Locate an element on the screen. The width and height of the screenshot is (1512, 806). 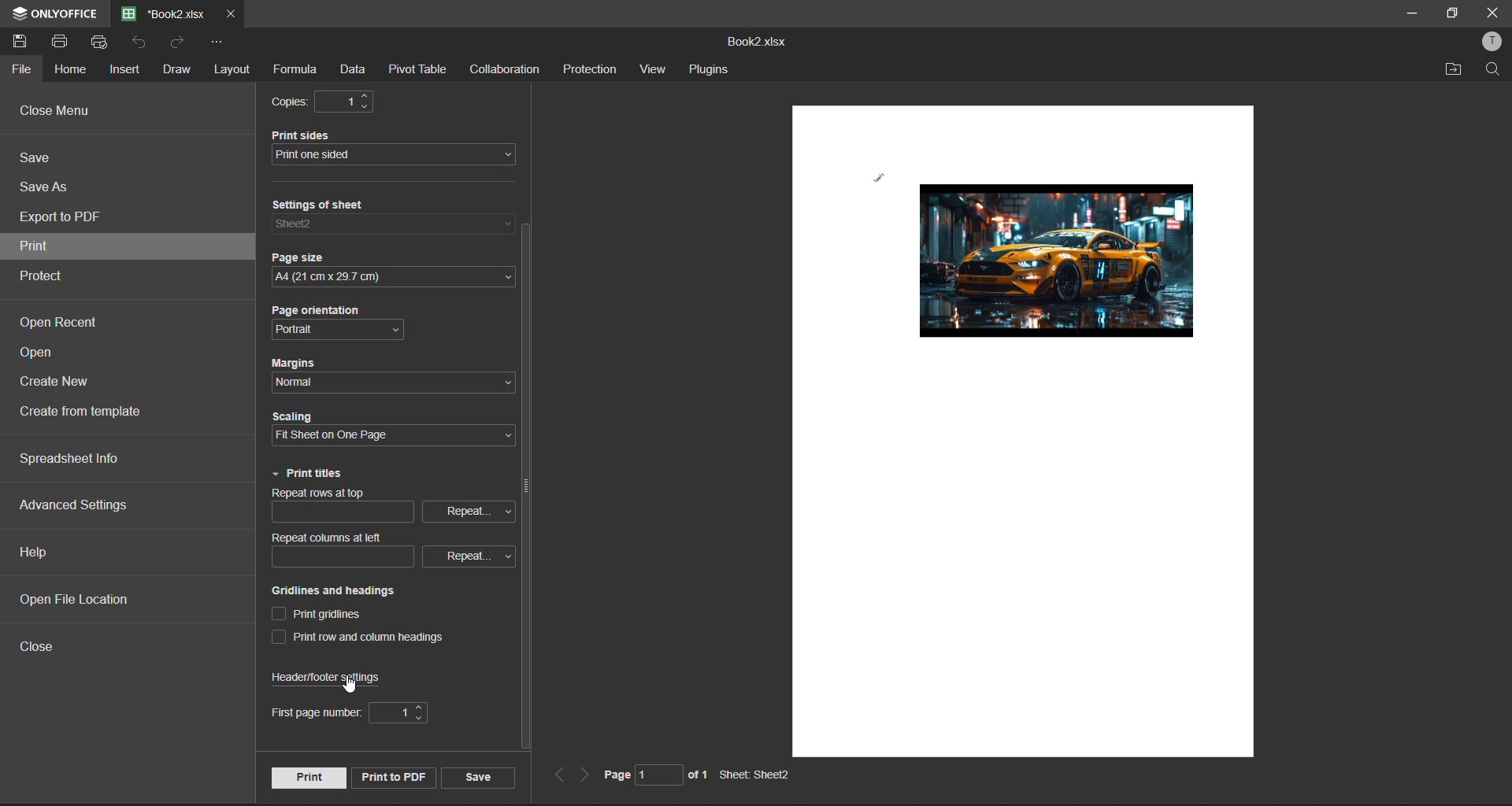
print is located at coordinates (307, 777).